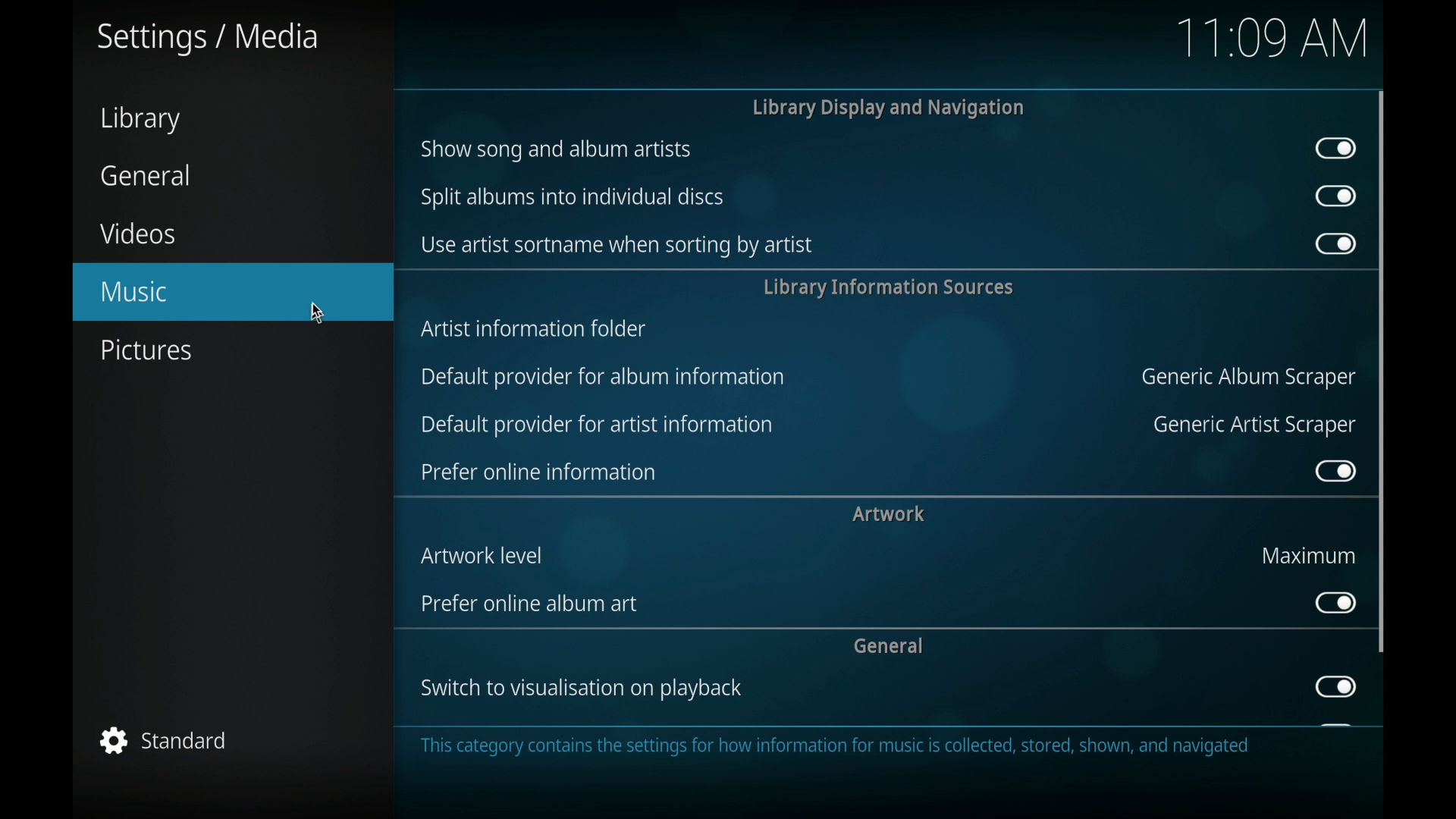 This screenshot has height=819, width=1456. What do you see at coordinates (573, 198) in the screenshot?
I see `split albums into individual discs` at bounding box center [573, 198].